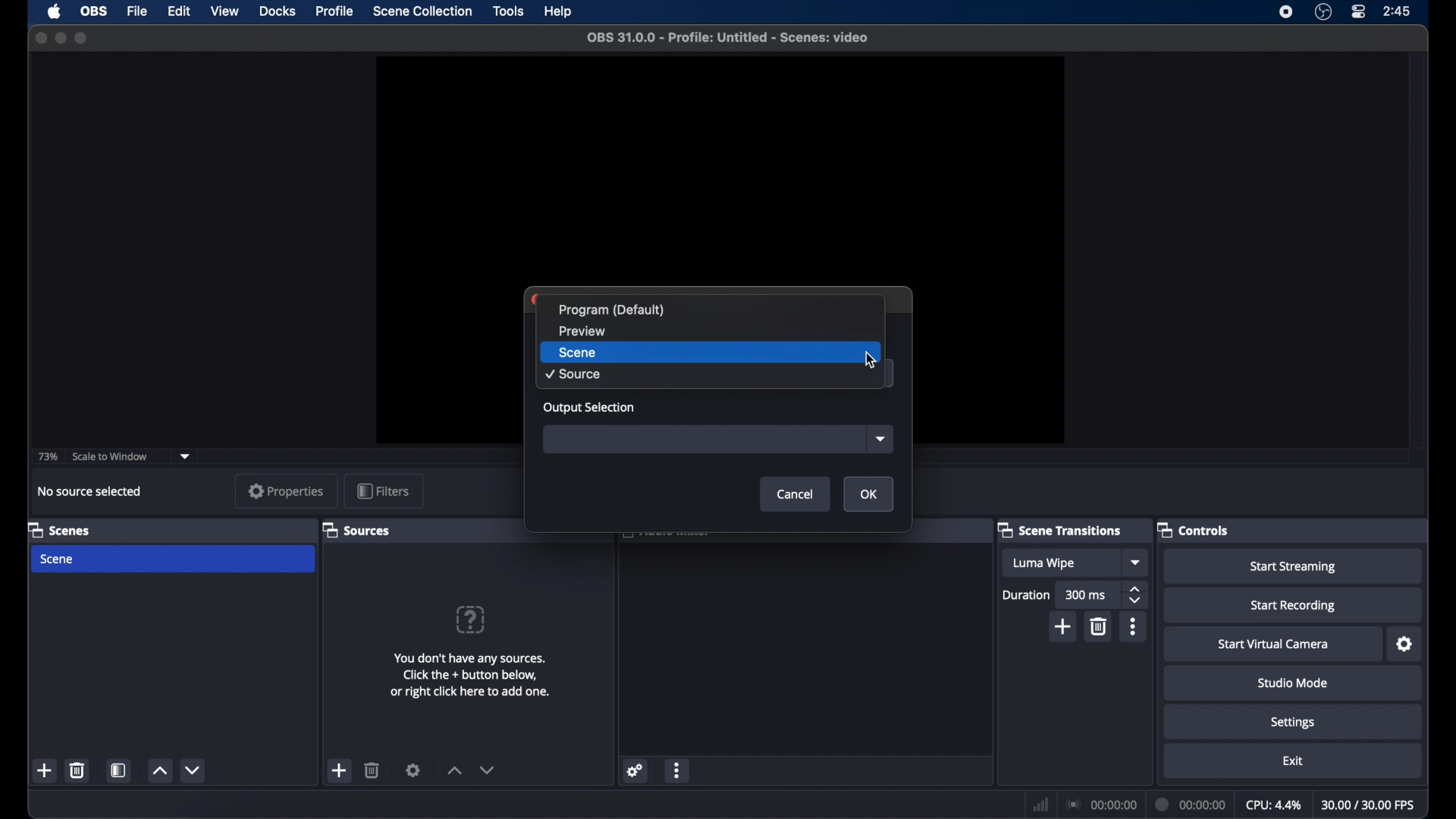 This screenshot has width=1456, height=819. What do you see at coordinates (1059, 563) in the screenshot?
I see `luma wipe` at bounding box center [1059, 563].